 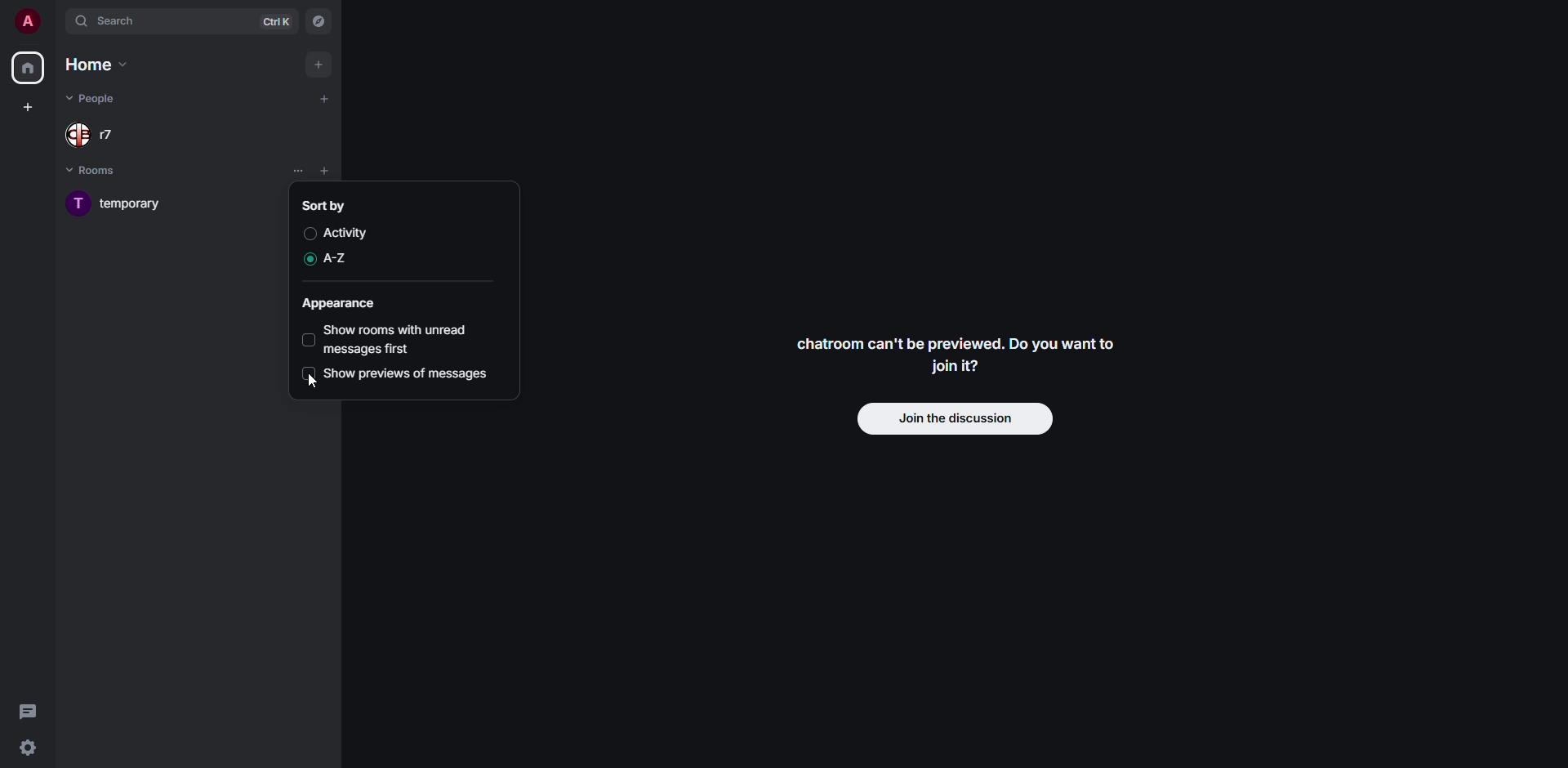 What do you see at coordinates (339, 258) in the screenshot?
I see `a-z` at bounding box center [339, 258].